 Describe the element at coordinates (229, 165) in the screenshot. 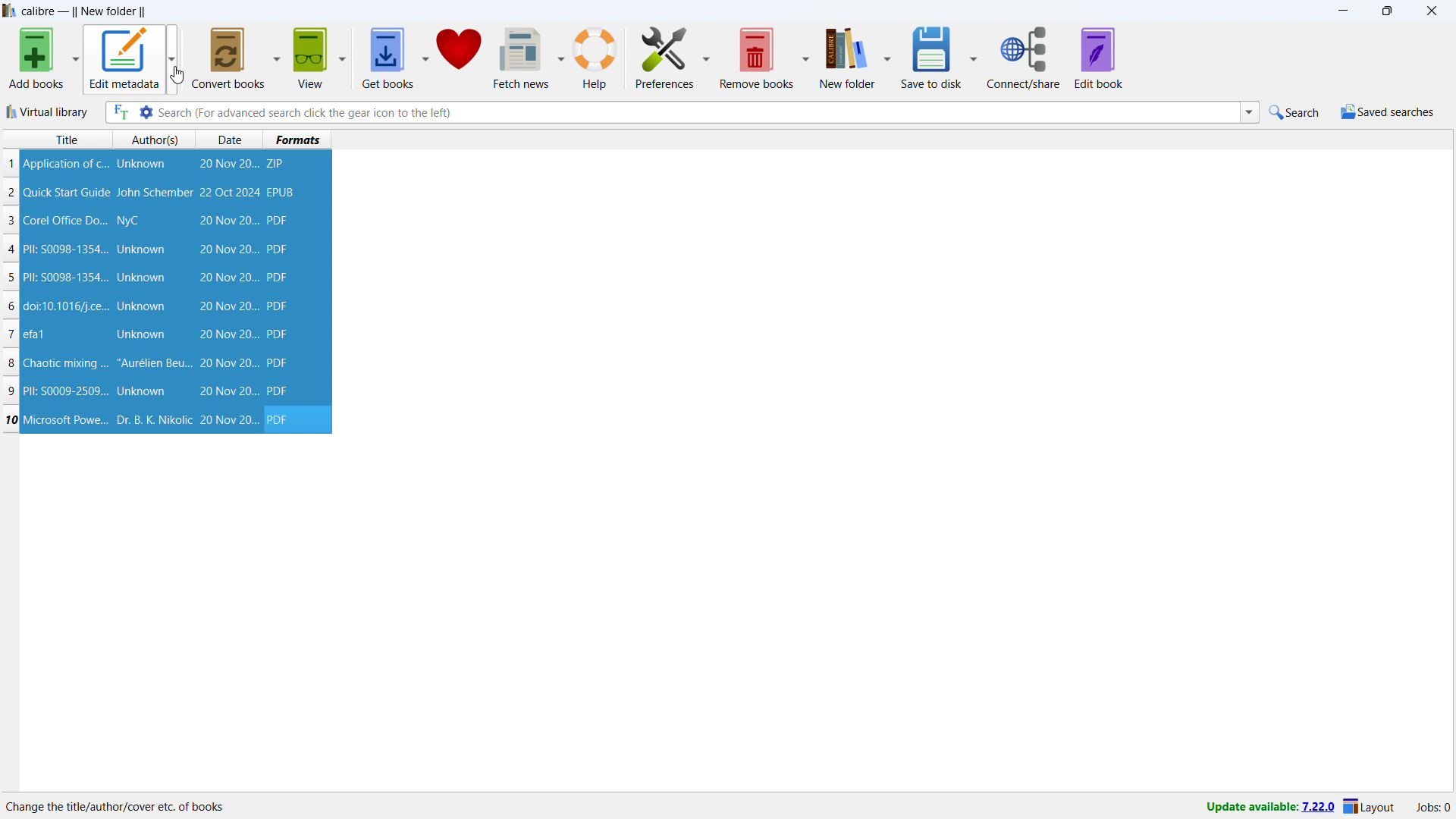

I see `20 Nov 20...` at that location.